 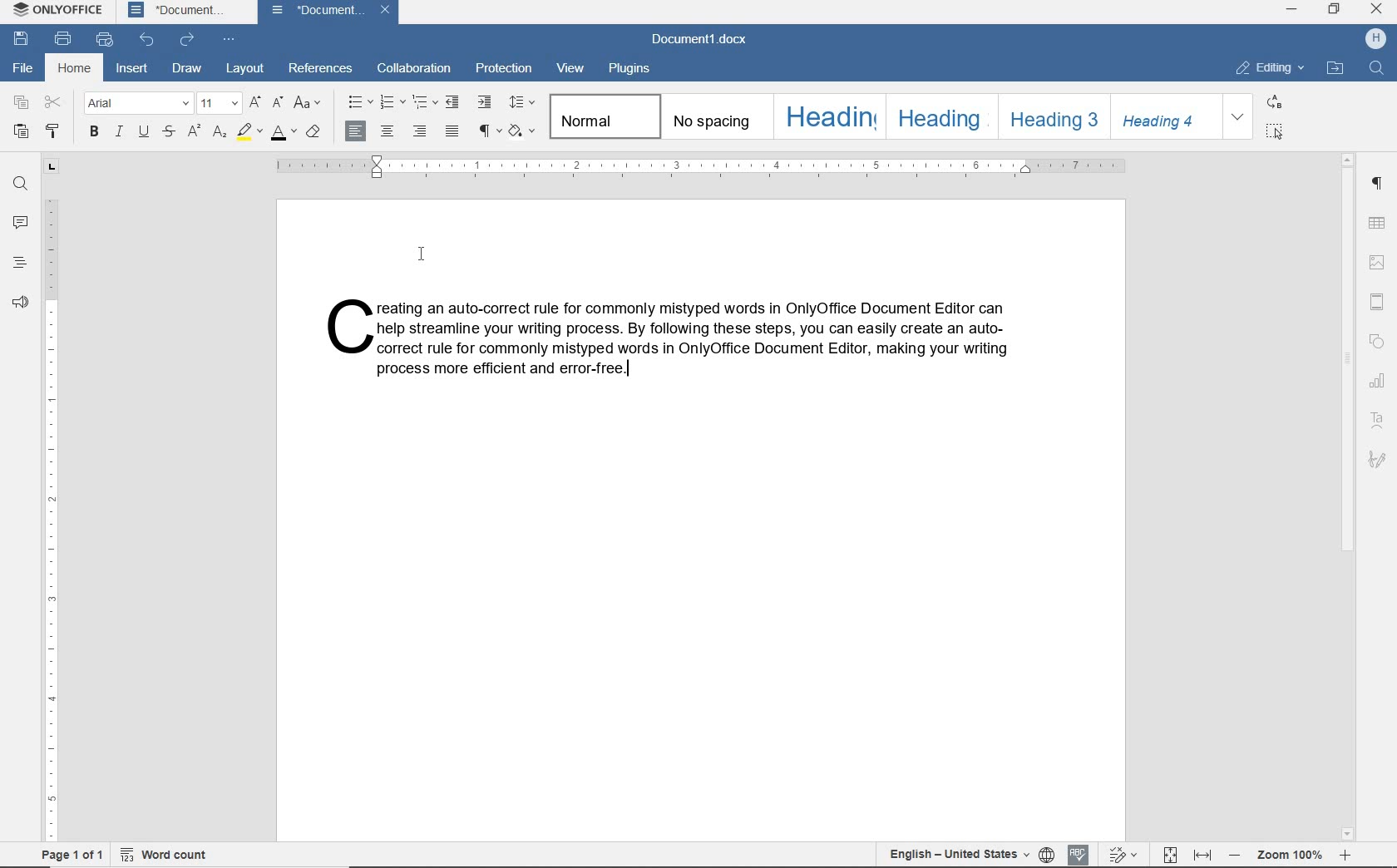 I want to click on VIEW, so click(x=575, y=69).